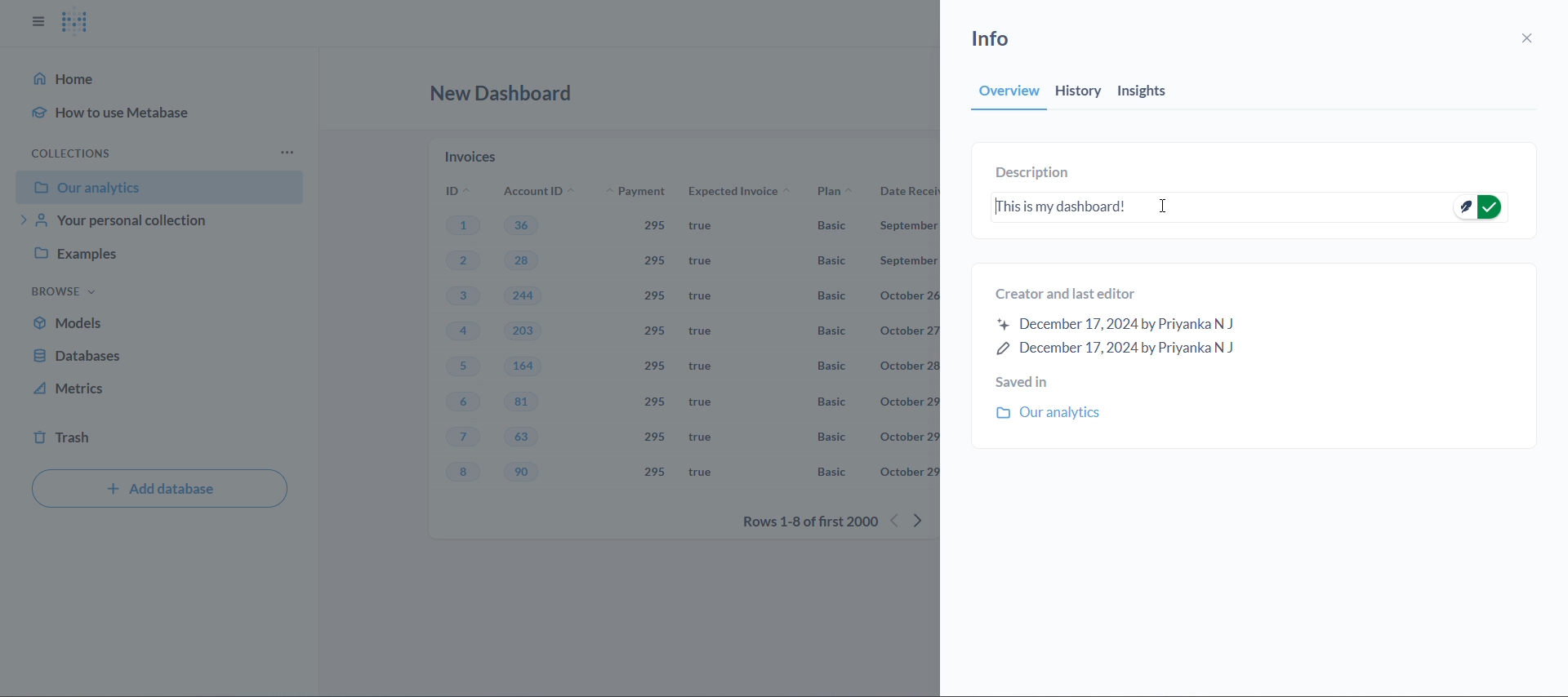 The height and width of the screenshot is (697, 1568). Describe the element at coordinates (528, 473) in the screenshot. I see `90` at that location.